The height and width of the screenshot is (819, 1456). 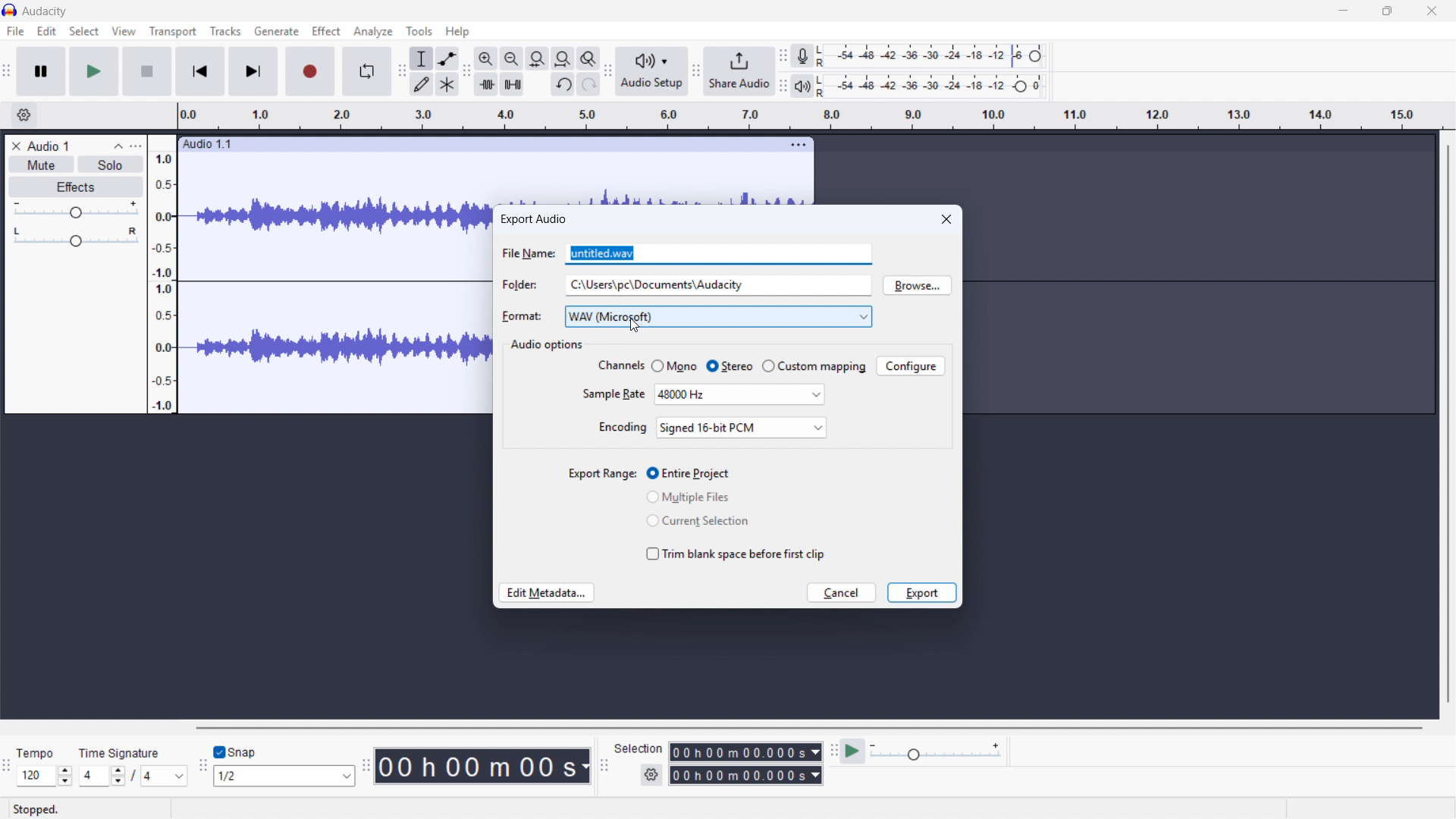 What do you see at coordinates (675, 366) in the screenshot?
I see `Mono ` at bounding box center [675, 366].